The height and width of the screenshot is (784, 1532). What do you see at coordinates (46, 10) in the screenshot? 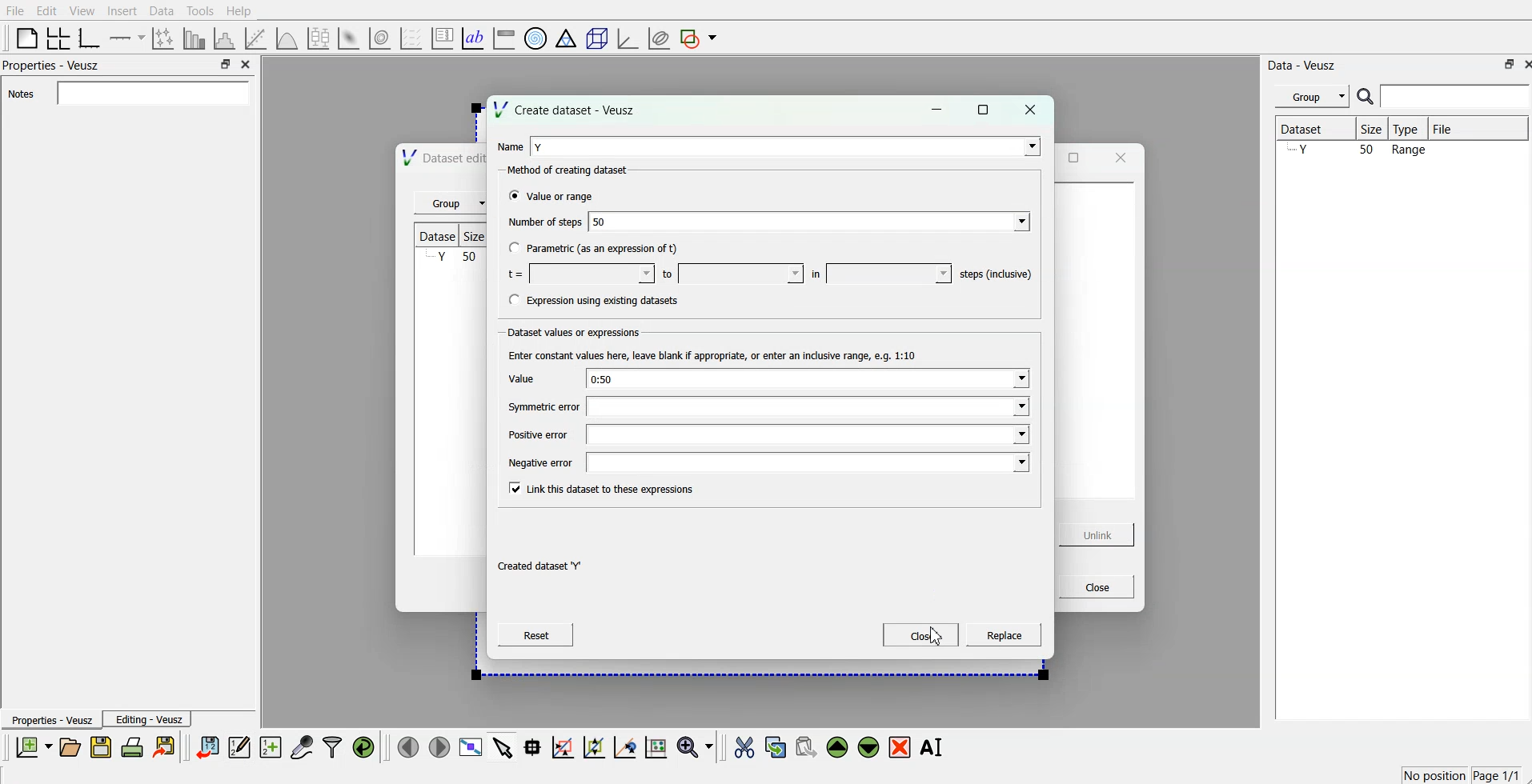
I see `Edit` at bounding box center [46, 10].